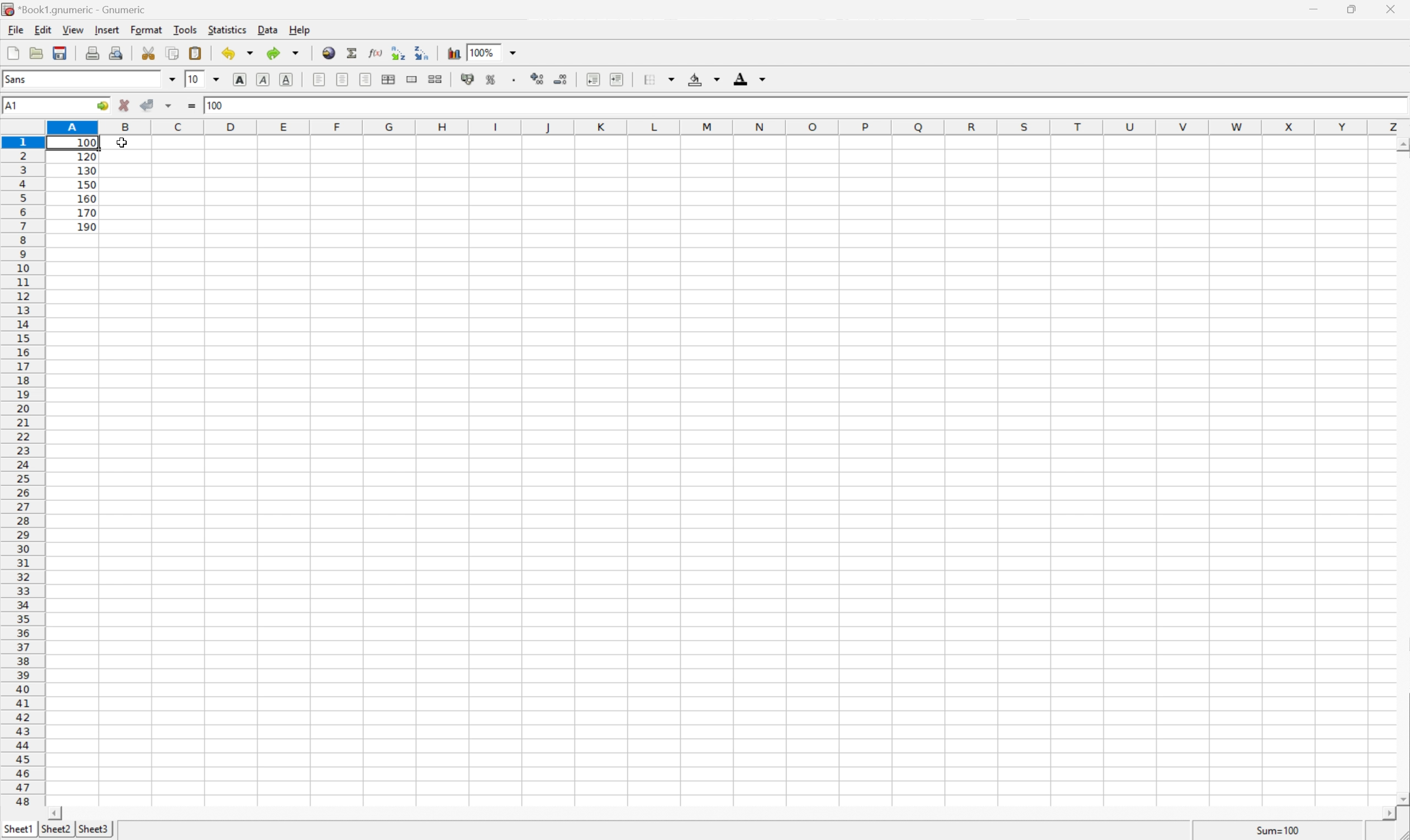  Describe the element at coordinates (73, 29) in the screenshot. I see `View` at that location.